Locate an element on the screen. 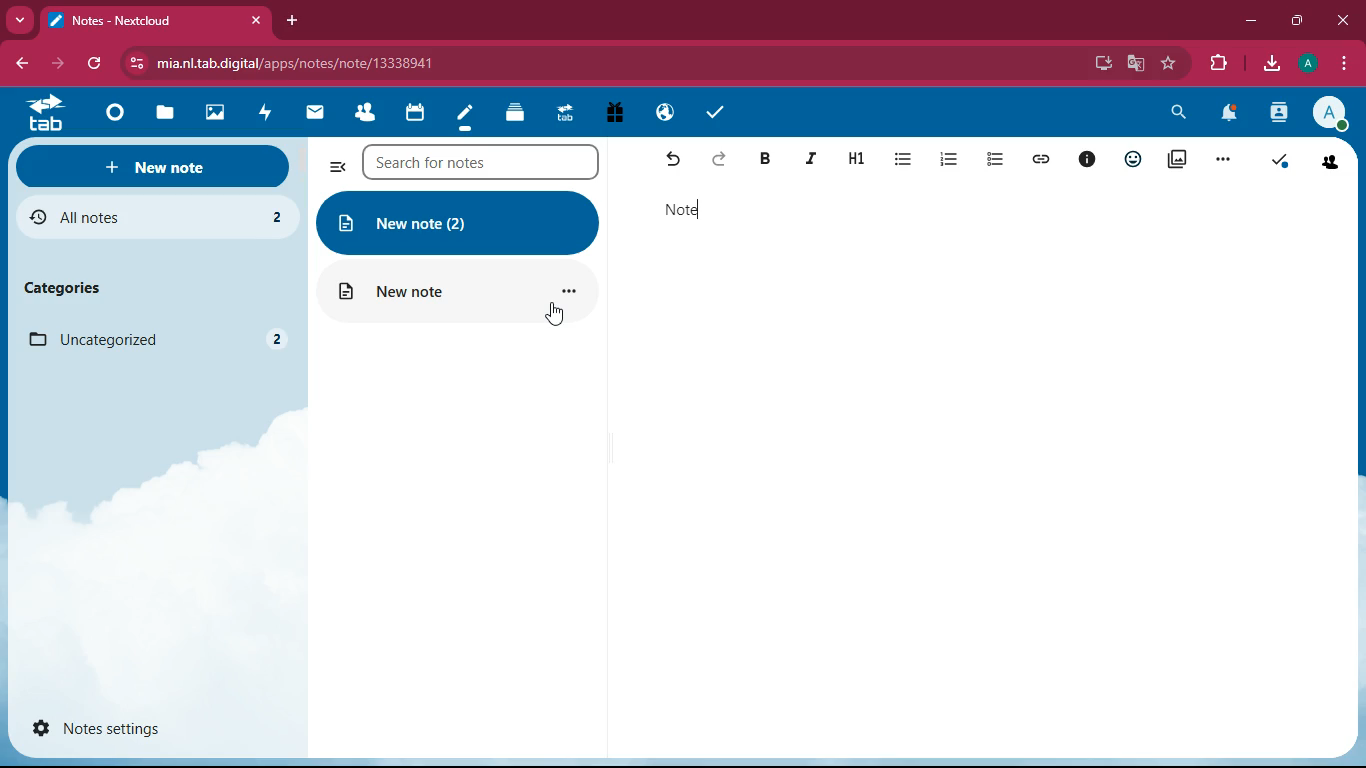 The image size is (1366, 768). desktop is located at coordinates (1100, 64).